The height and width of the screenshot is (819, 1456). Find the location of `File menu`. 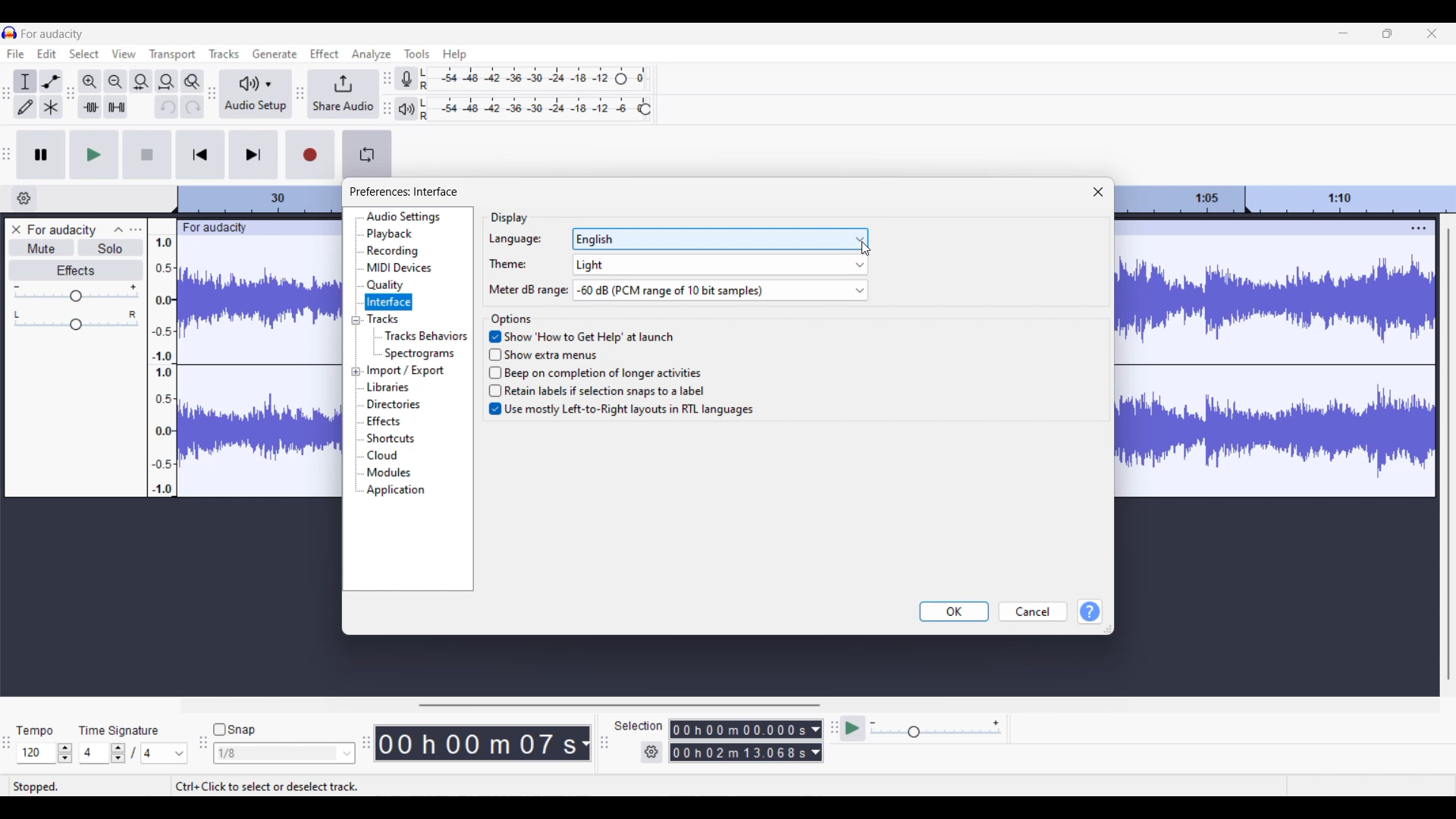

File menu is located at coordinates (16, 53).